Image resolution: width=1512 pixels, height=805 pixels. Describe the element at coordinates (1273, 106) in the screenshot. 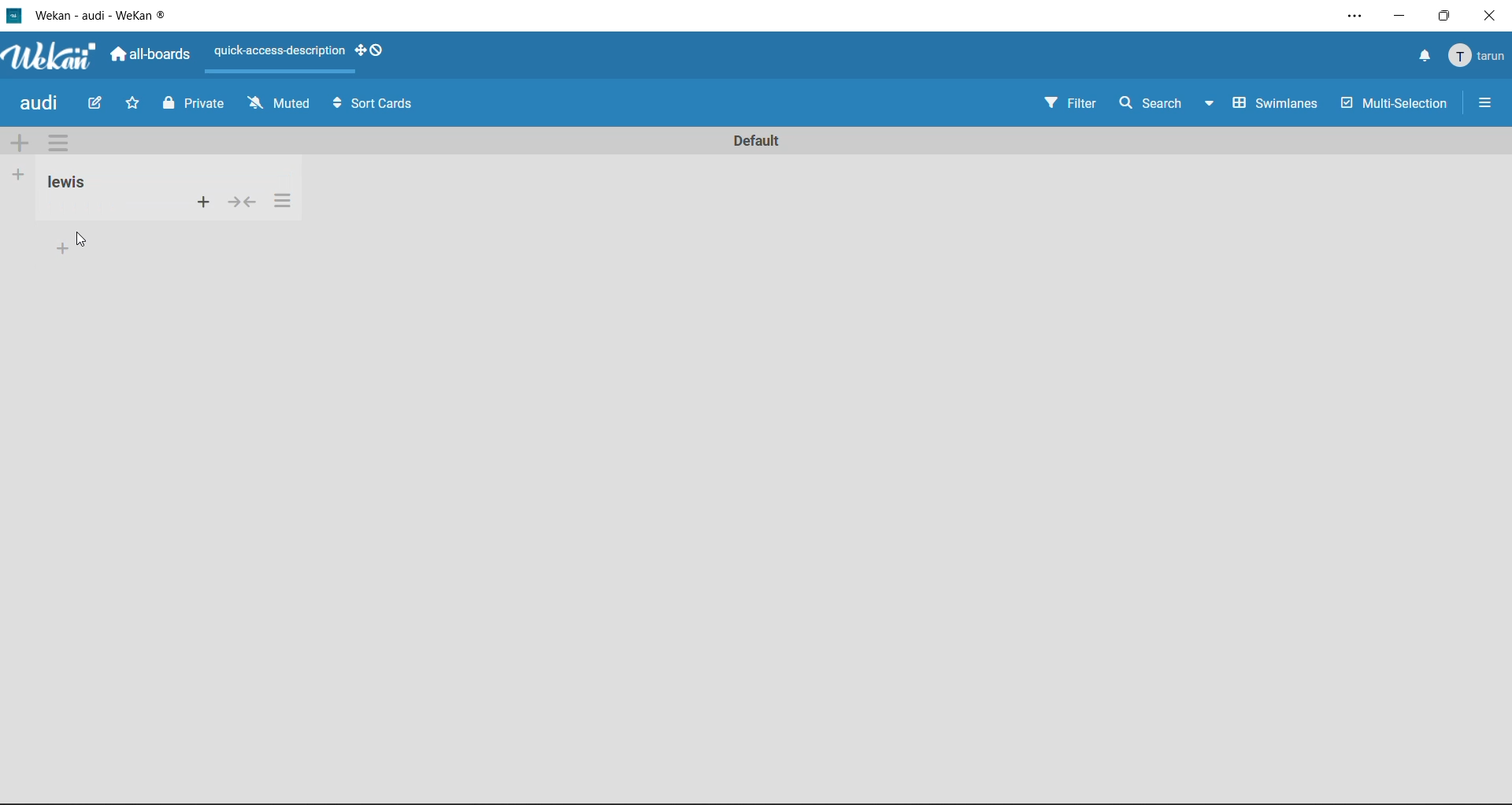

I see `swimlanes` at that location.